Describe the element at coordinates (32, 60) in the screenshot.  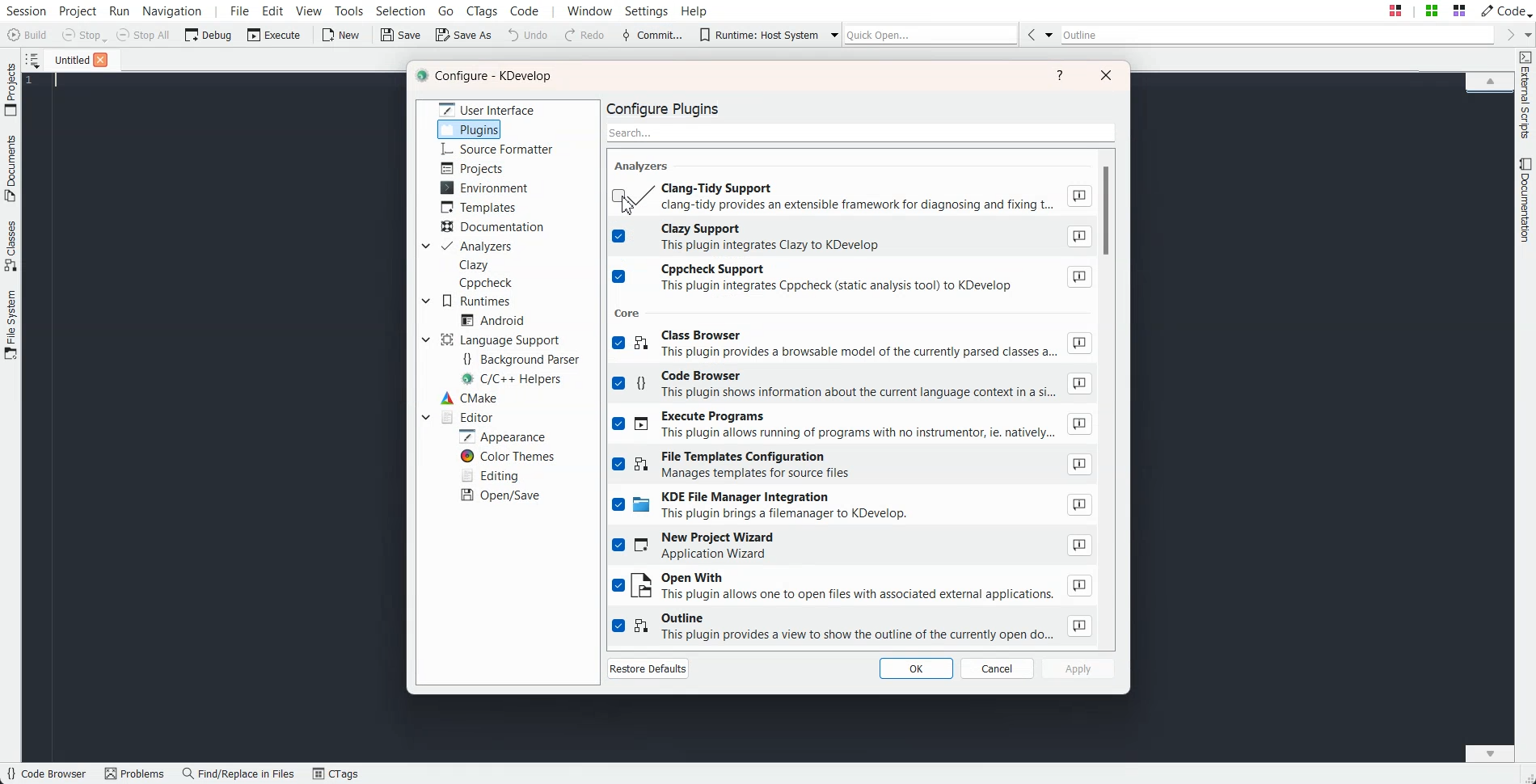
I see `Show sorted list` at that location.